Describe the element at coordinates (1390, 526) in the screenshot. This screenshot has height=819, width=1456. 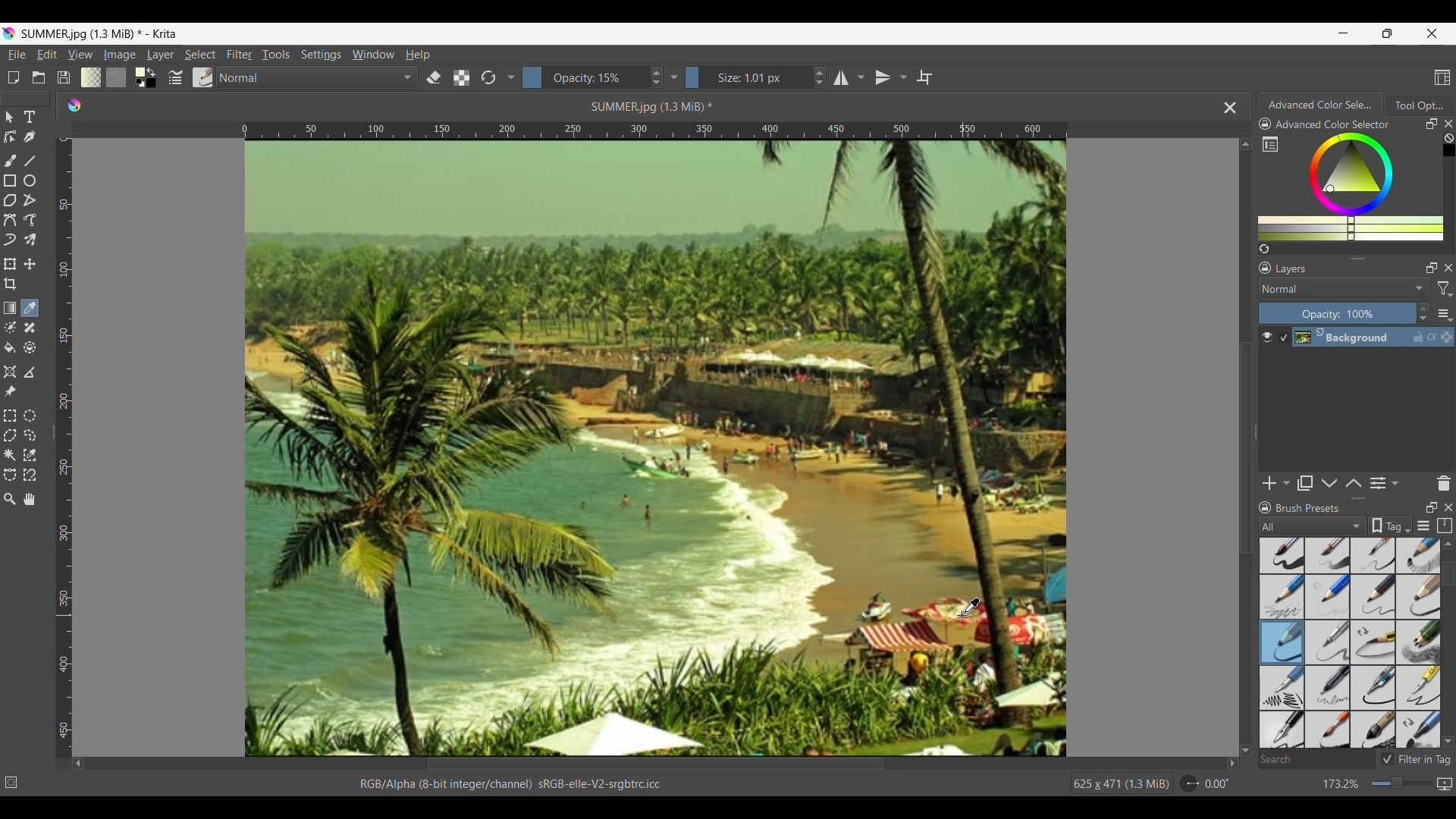
I see `Tag` at that location.